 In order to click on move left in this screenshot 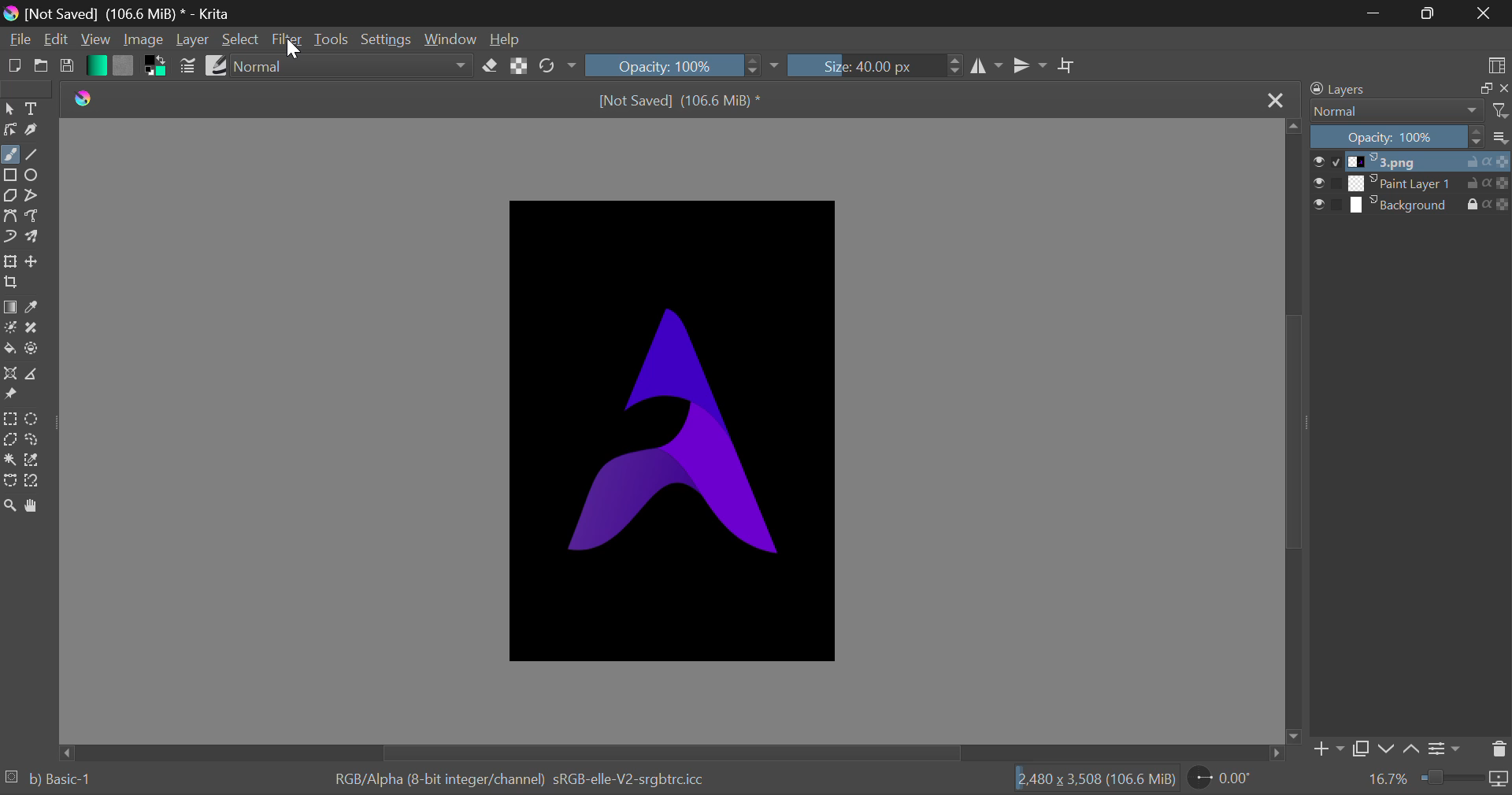, I will do `click(68, 753)`.